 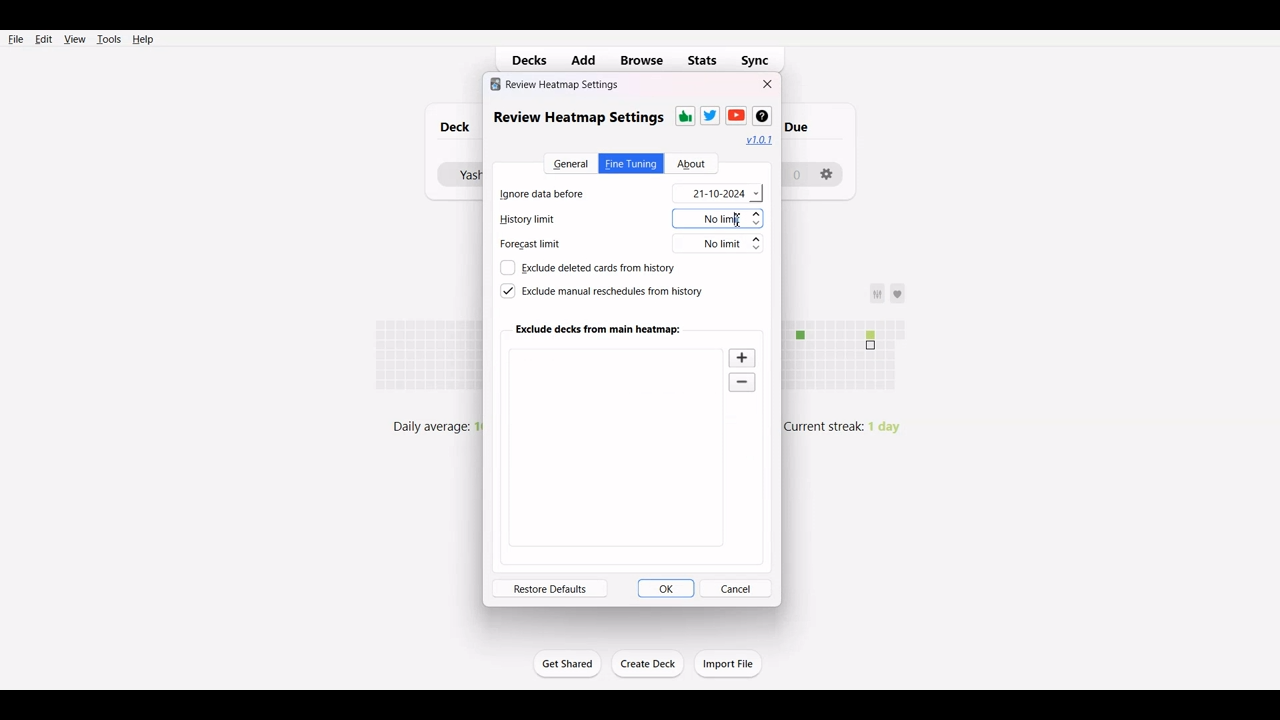 What do you see at coordinates (600, 291) in the screenshot?
I see `Exclude manual reschedule from history` at bounding box center [600, 291].